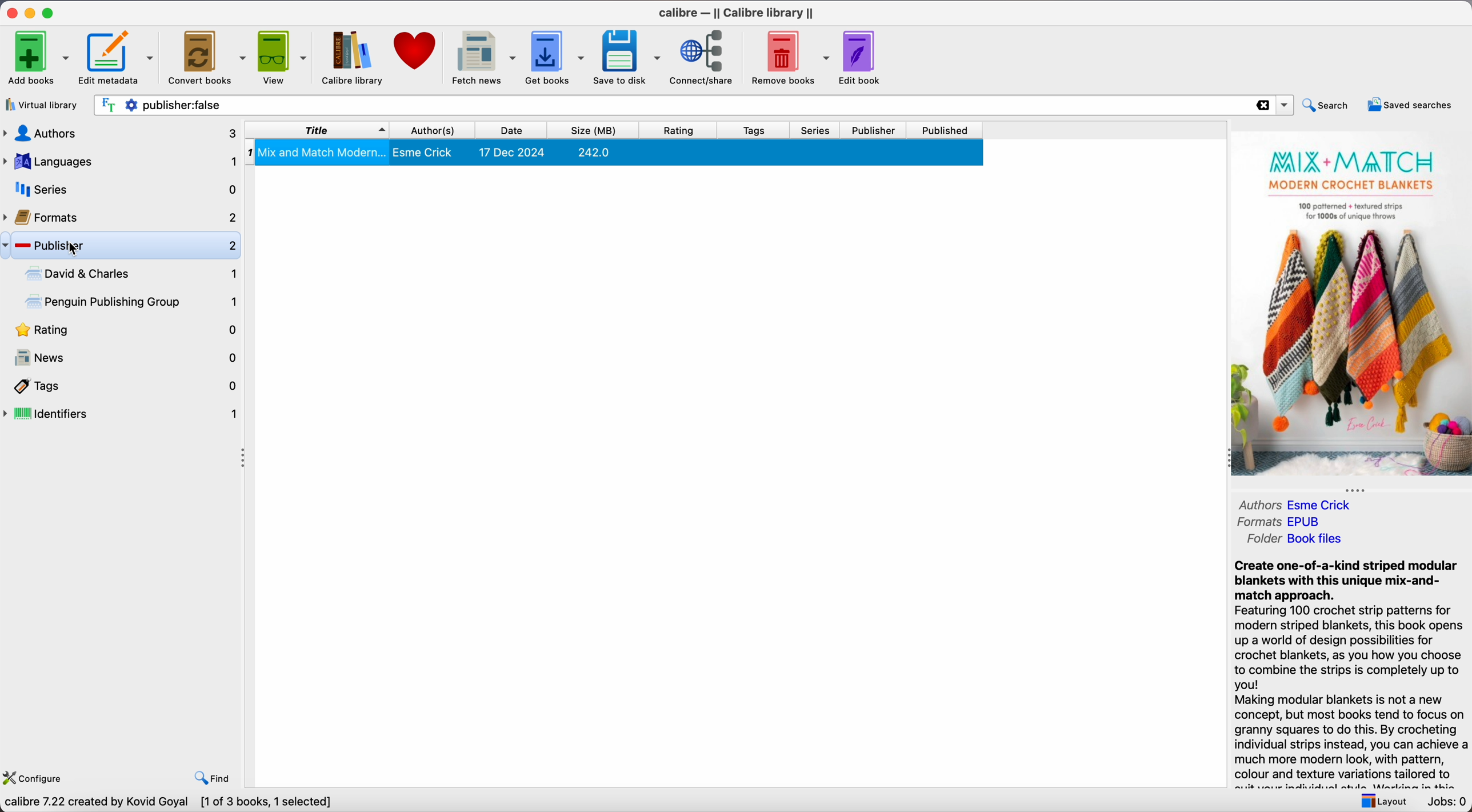  Describe the element at coordinates (947, 130) in the screenshot. I see `published` at that location.